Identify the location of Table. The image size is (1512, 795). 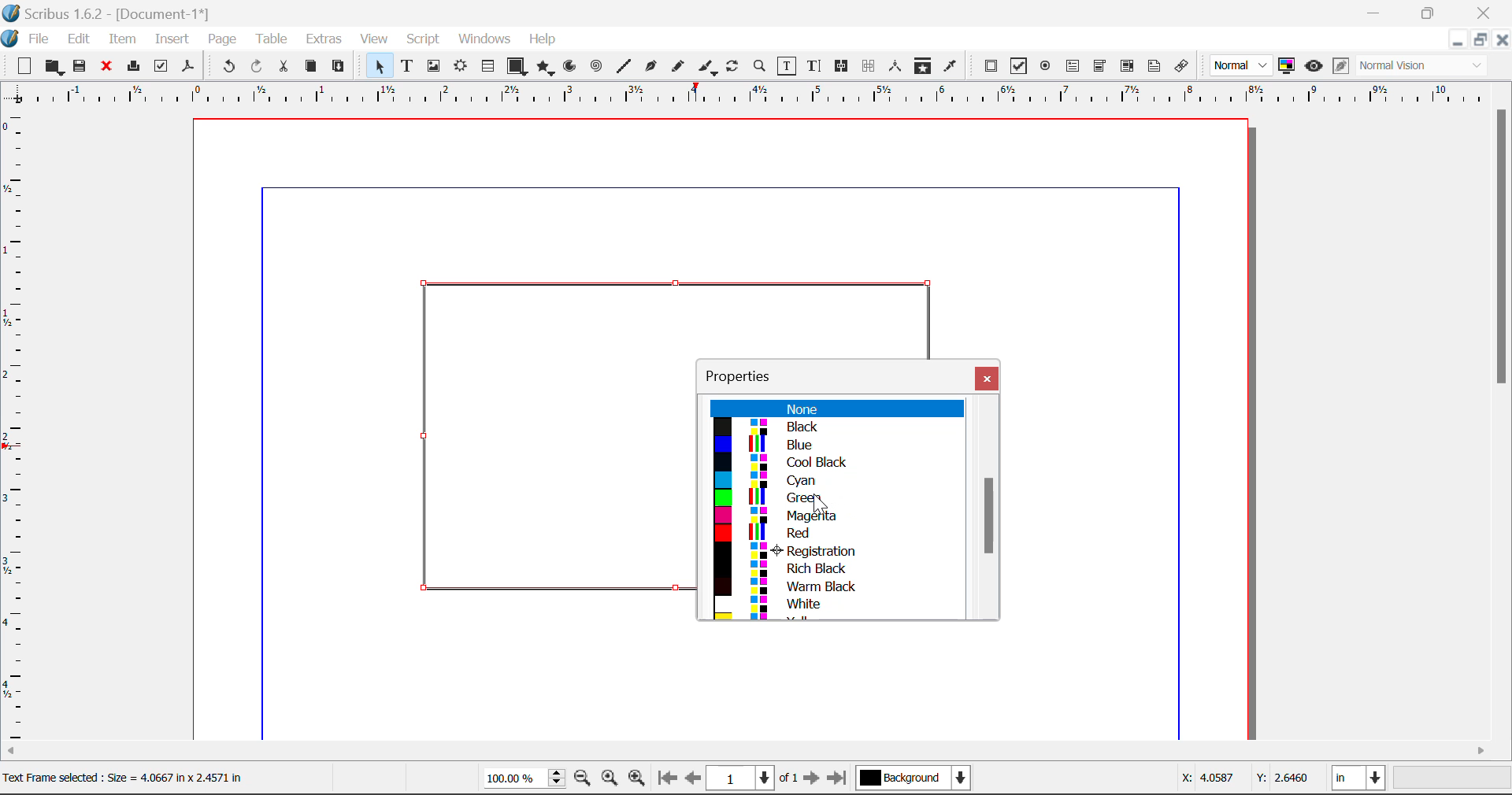
(271, 38).